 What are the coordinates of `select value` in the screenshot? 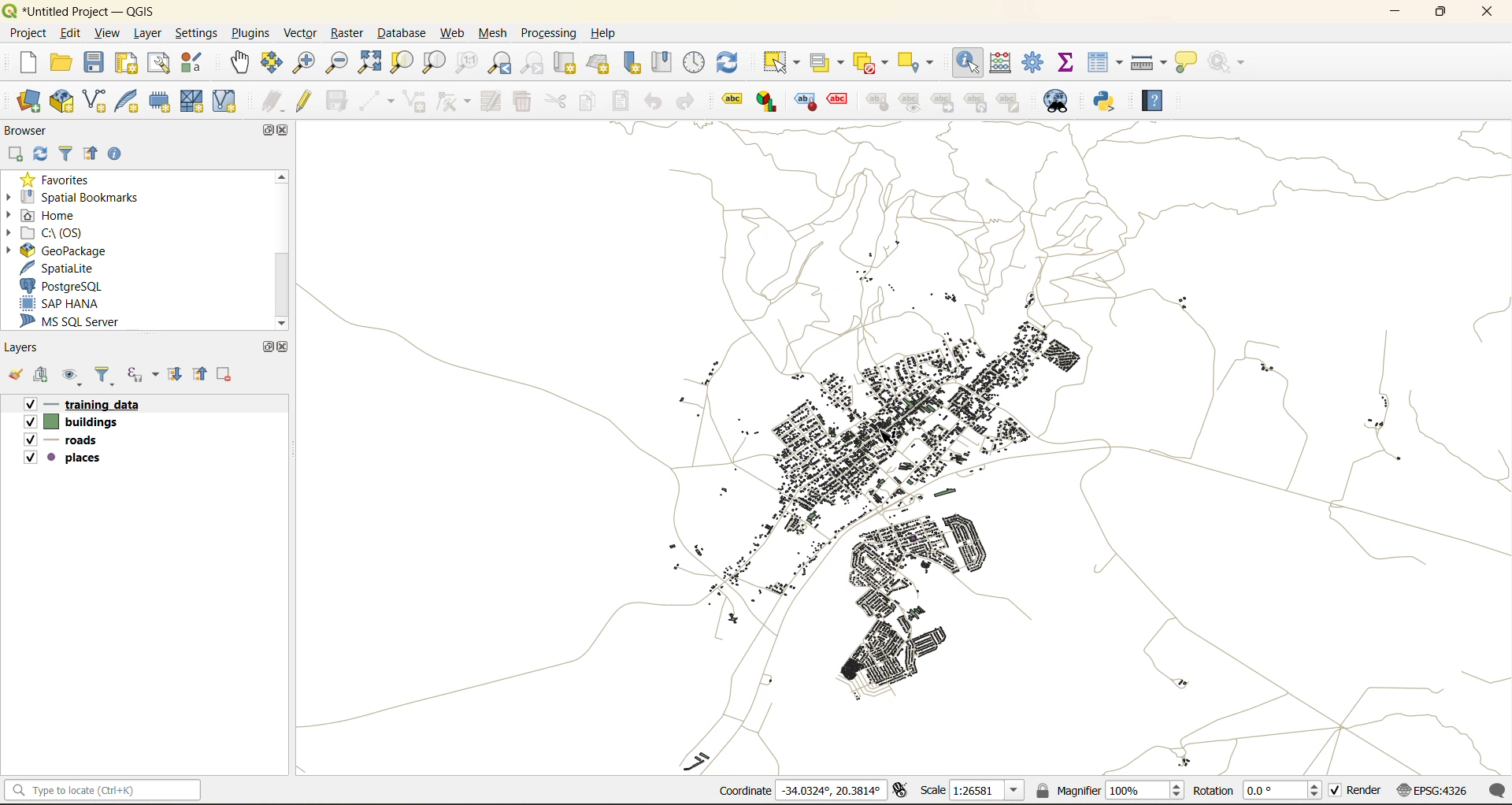 It's located at (830, 64).